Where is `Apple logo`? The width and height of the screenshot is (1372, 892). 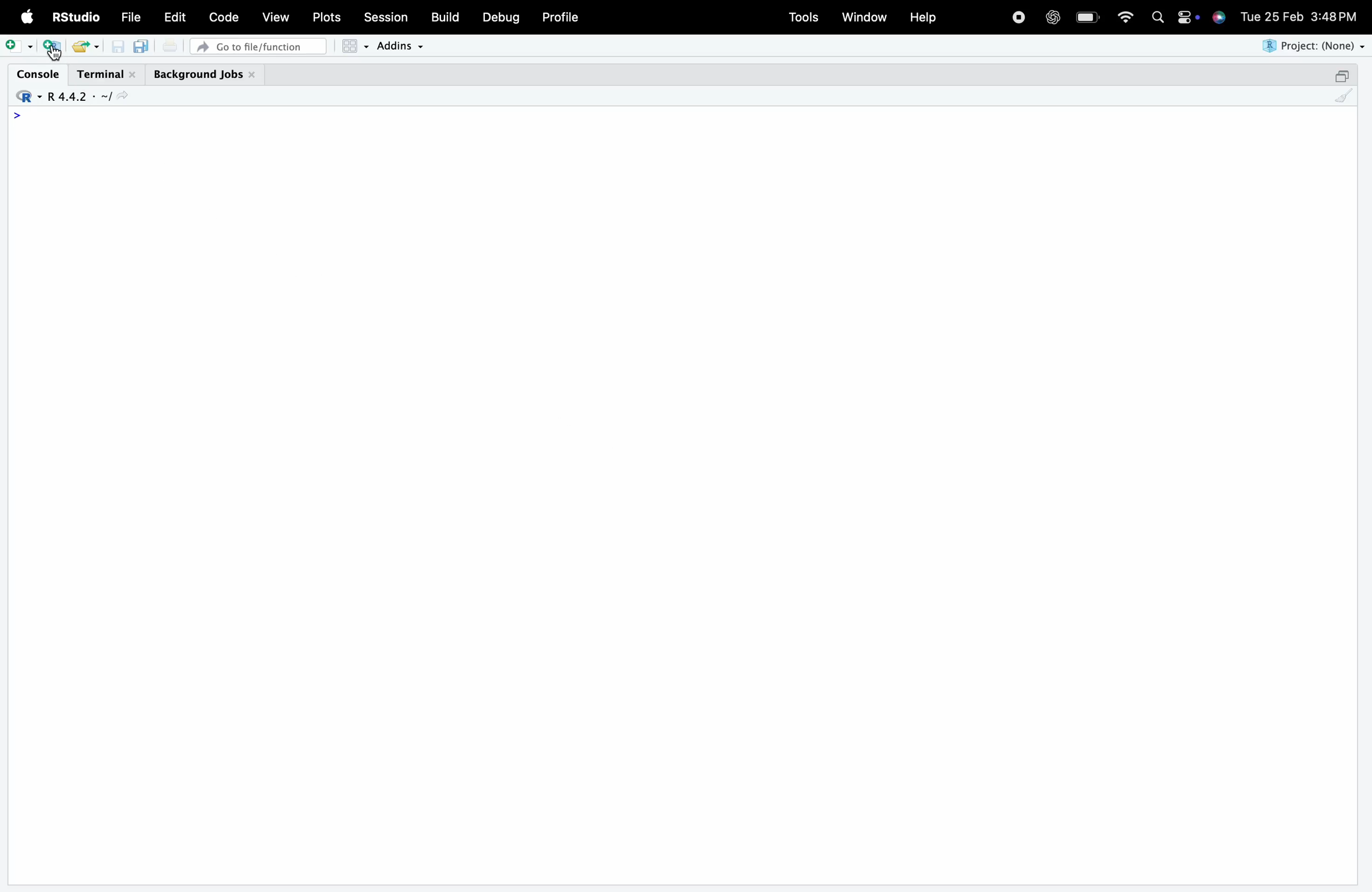
Apple logo is located at coordinates (28, 17).